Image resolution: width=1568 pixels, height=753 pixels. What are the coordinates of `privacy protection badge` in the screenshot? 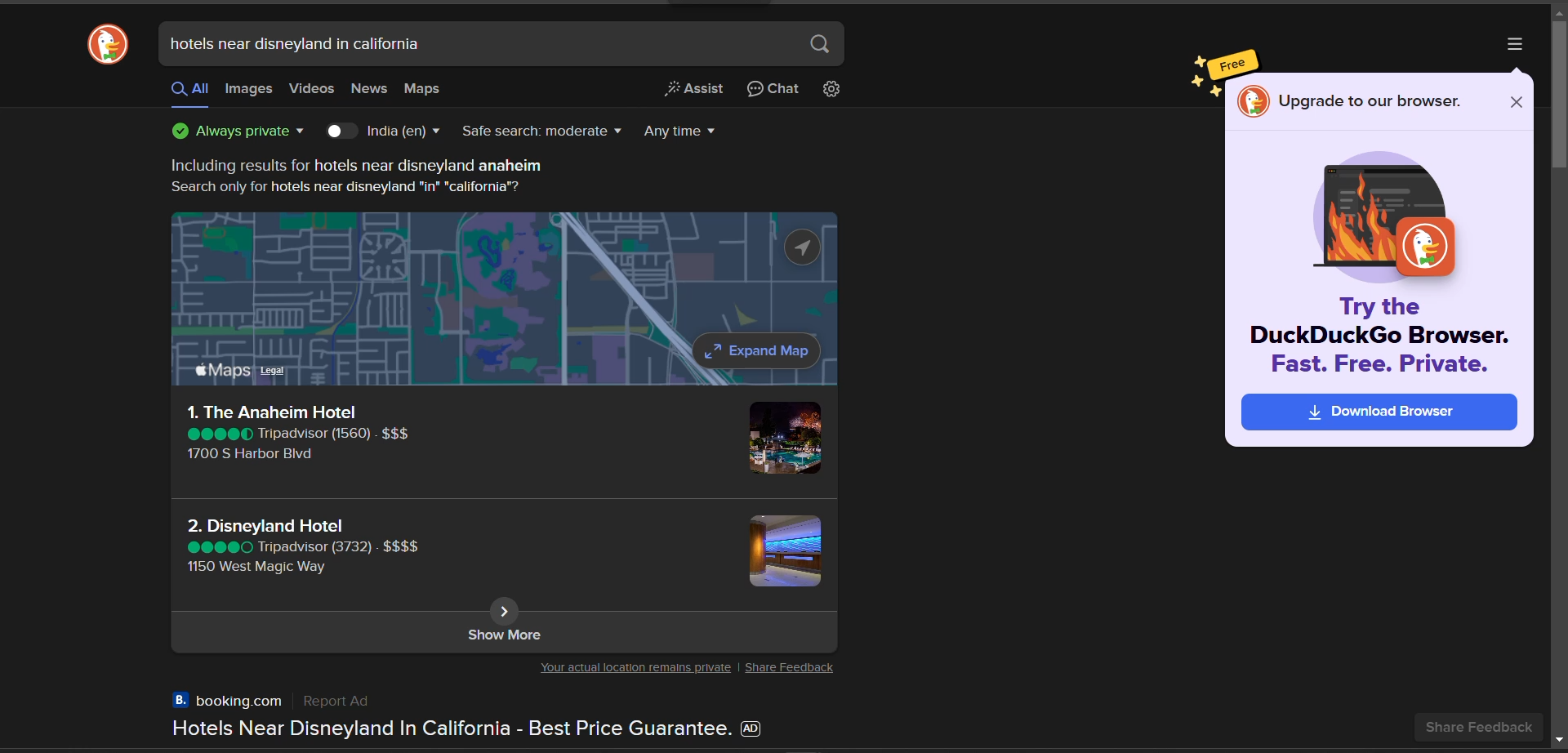 It's located at (238, 131).